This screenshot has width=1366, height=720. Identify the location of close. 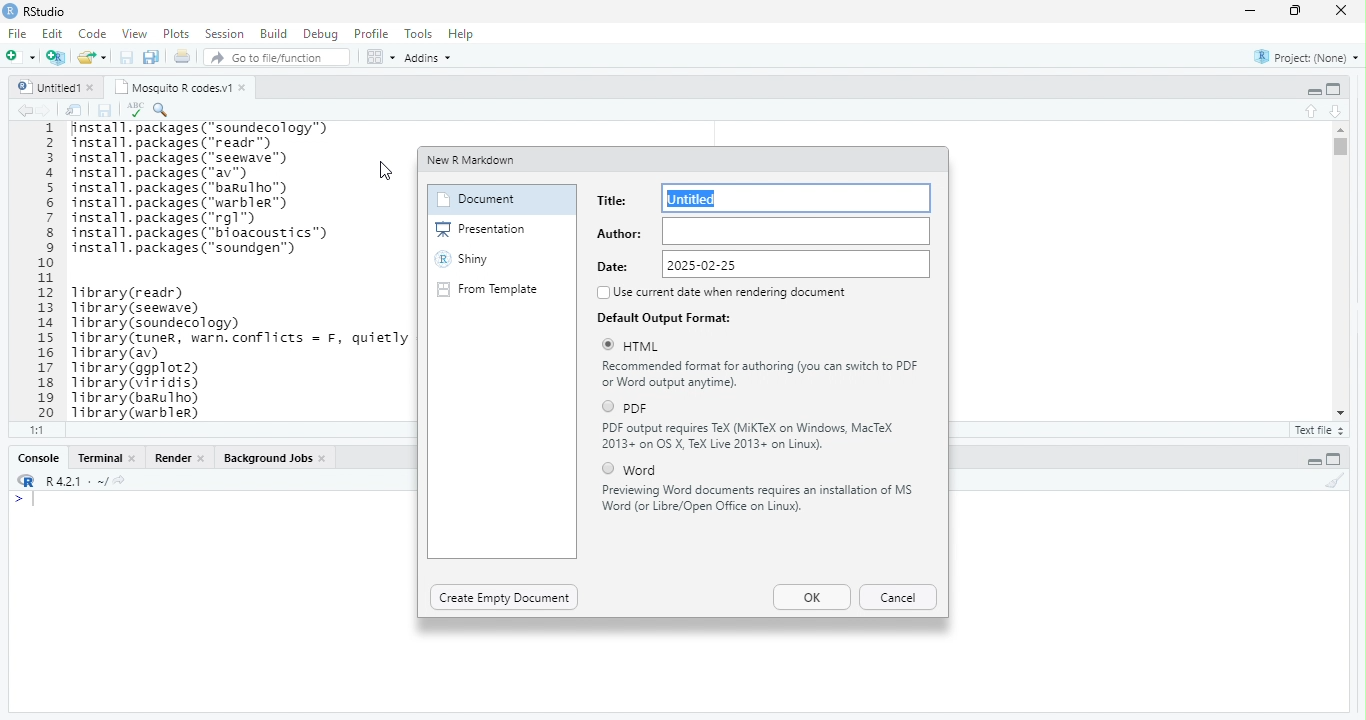
(202, 459).